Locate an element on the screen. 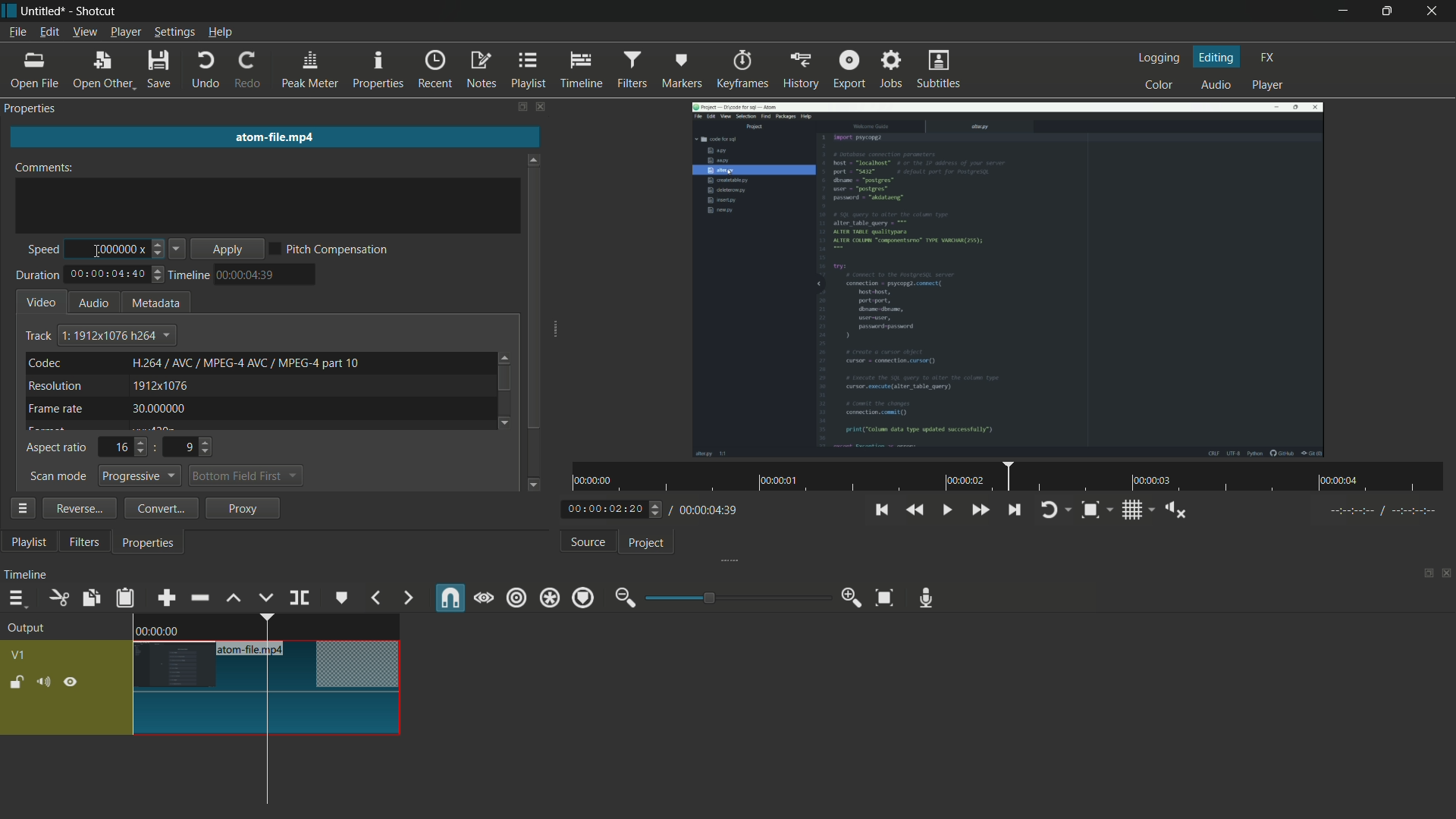 Image resolution: width=1456 pixels, height=819 pixels. timeline is located at coordinates (579, 70).